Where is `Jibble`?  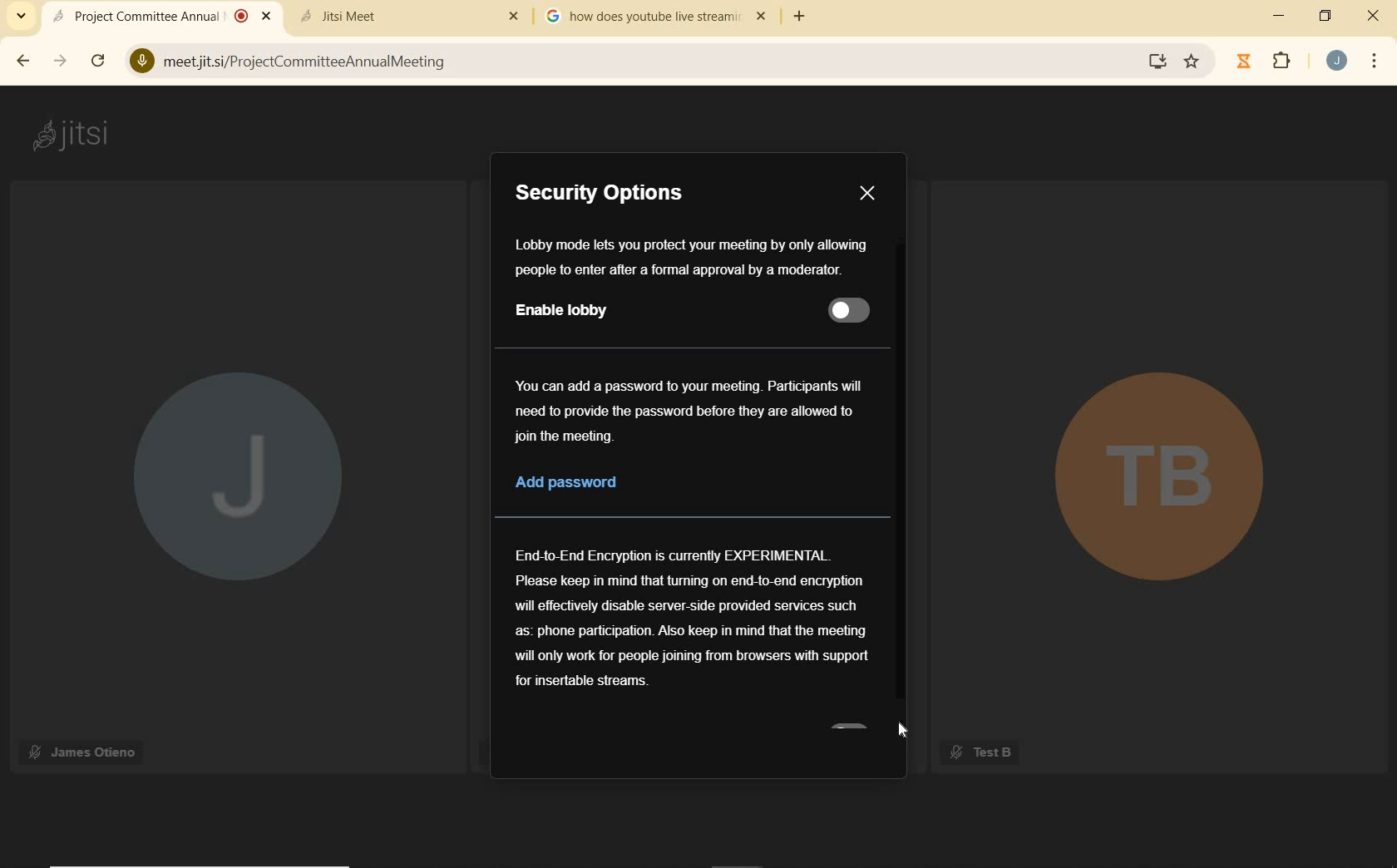
Jibble is located at coordinates (1244, 63).